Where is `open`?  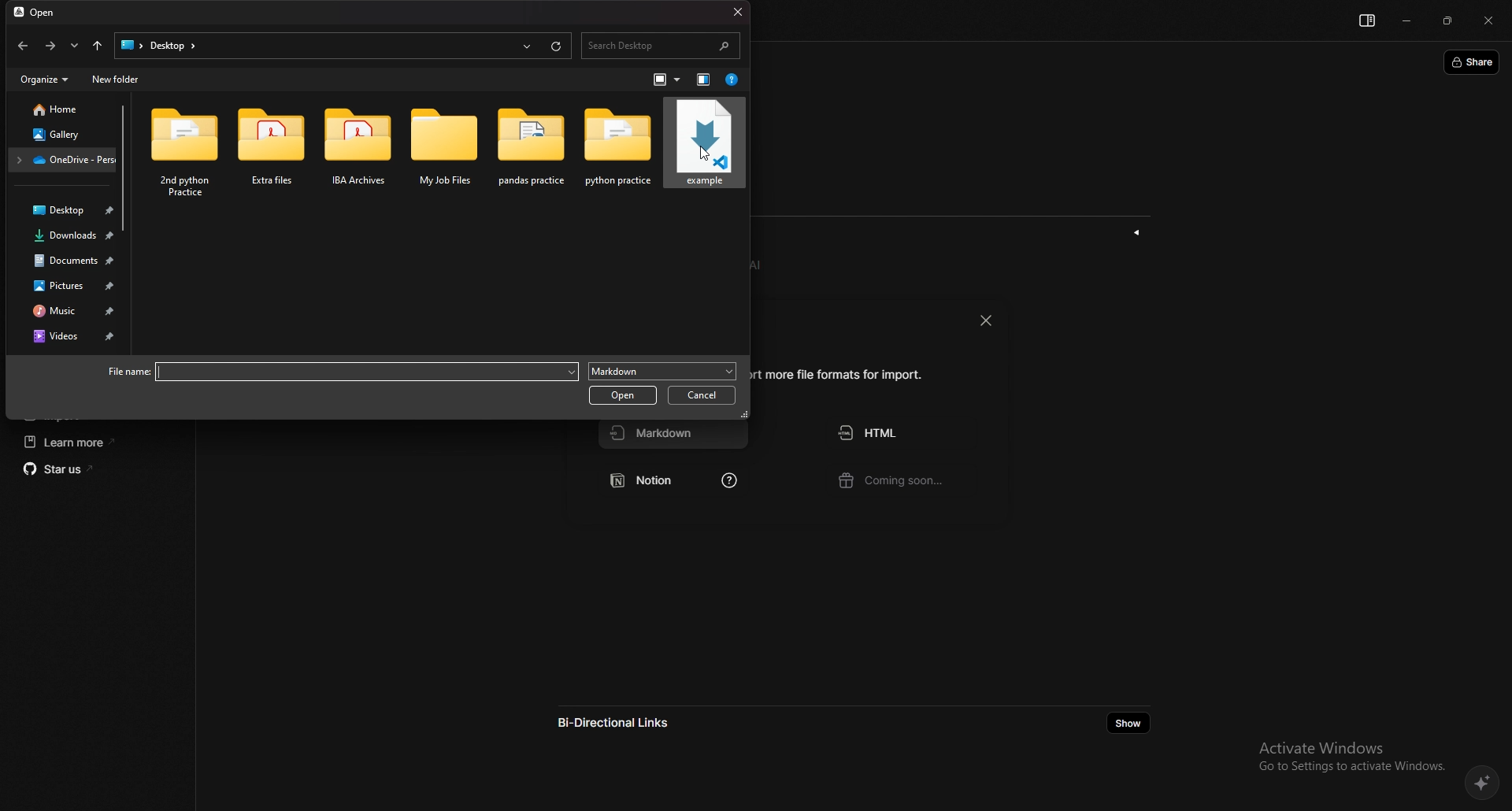
open is located at coordinates (43, 13).